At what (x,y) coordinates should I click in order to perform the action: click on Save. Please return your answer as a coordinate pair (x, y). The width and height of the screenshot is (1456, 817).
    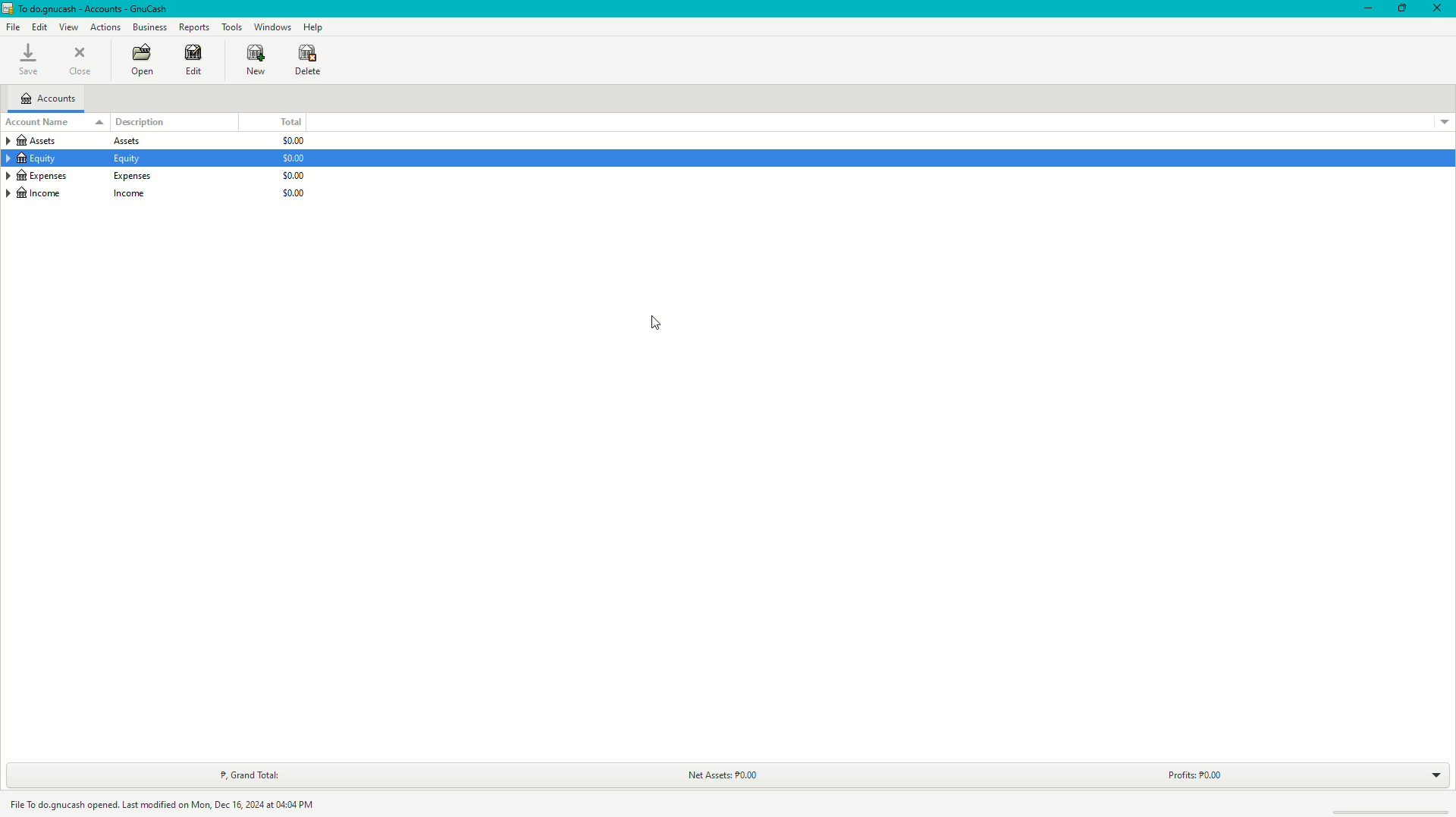
    Looking at the image, I should click on (29, 60).